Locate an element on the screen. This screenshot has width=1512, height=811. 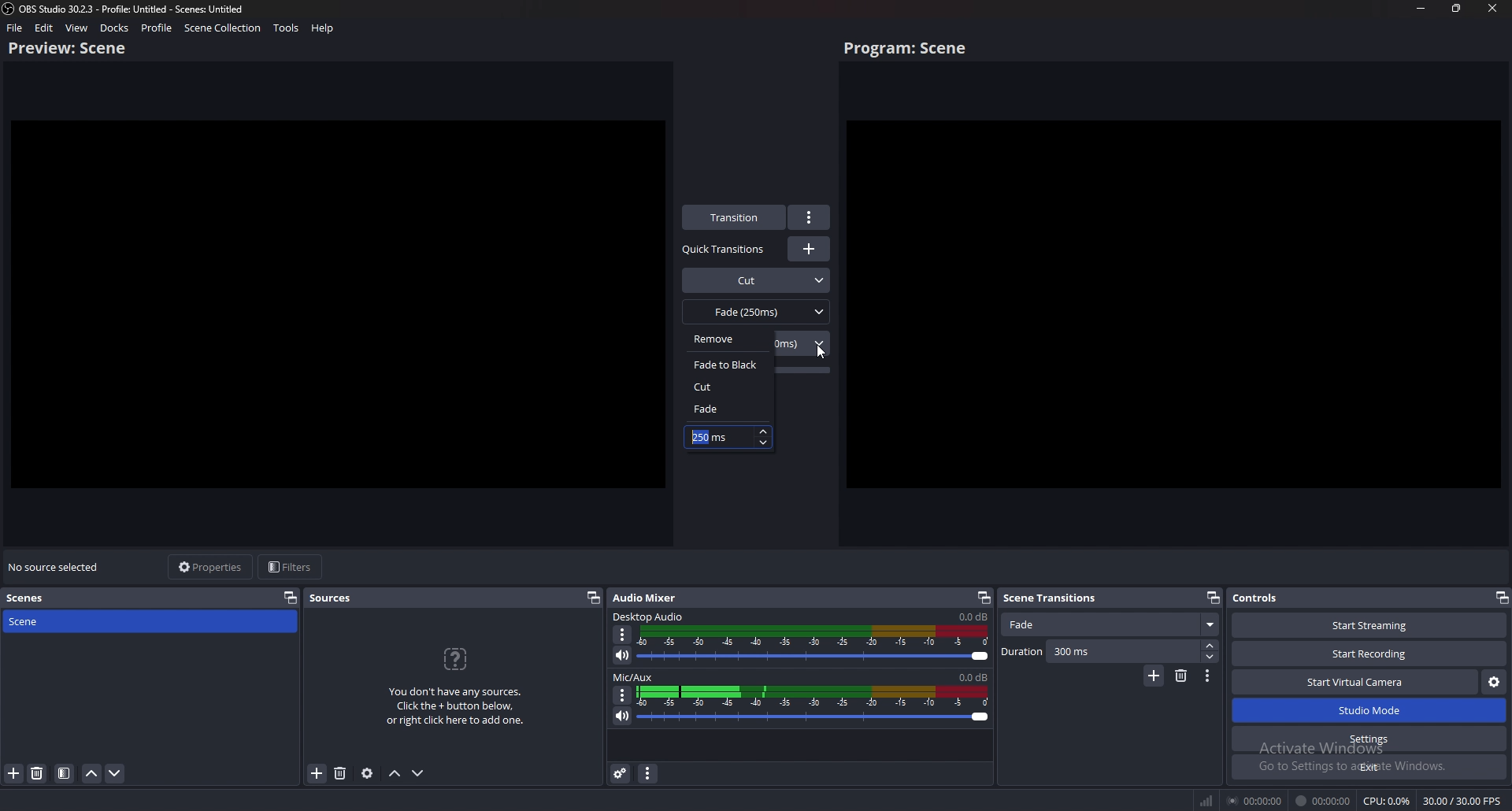
Options is located at coordinates (624, 635).